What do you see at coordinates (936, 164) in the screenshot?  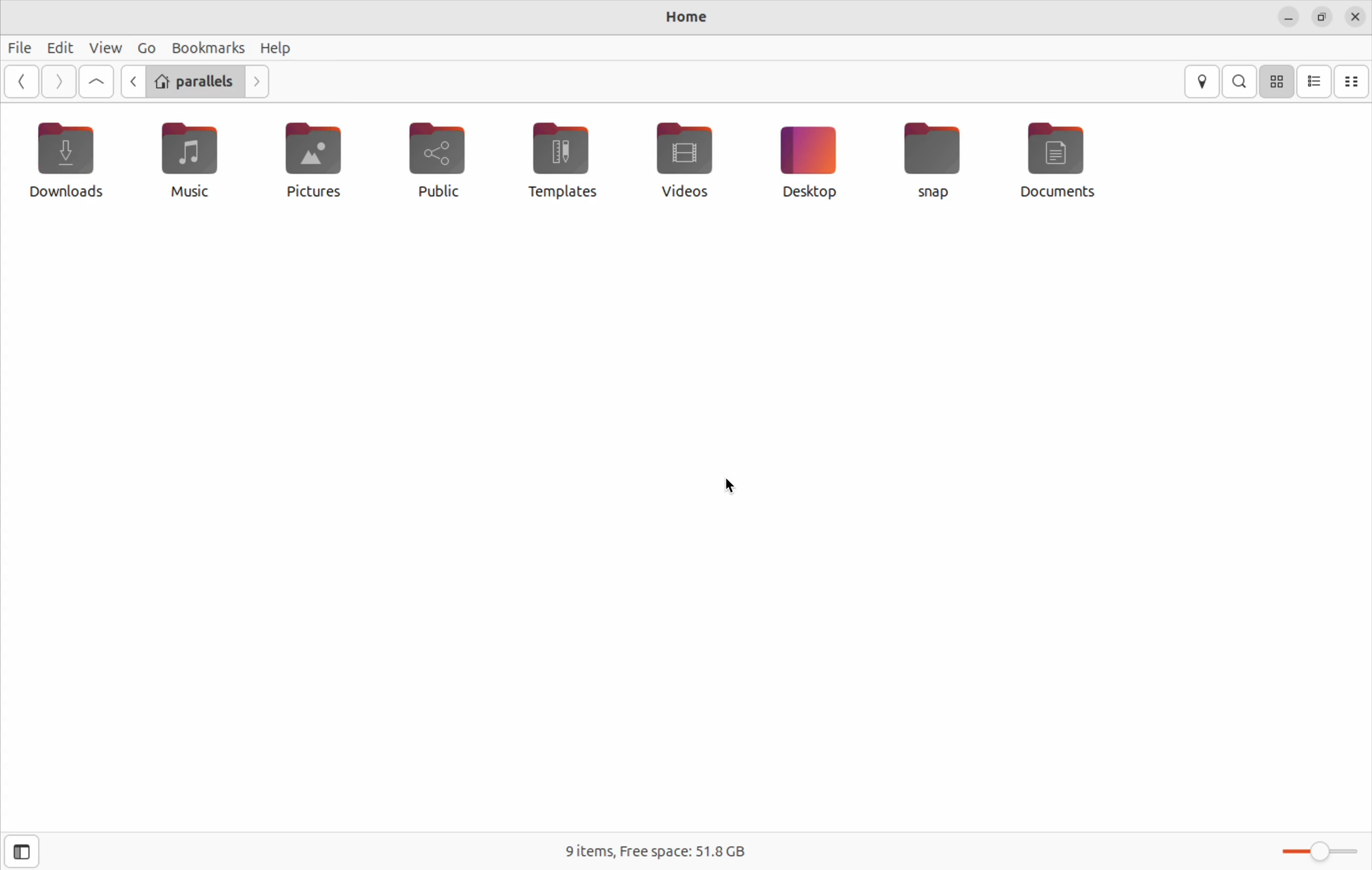 I see `snap files` at bounding box center [936, 164].